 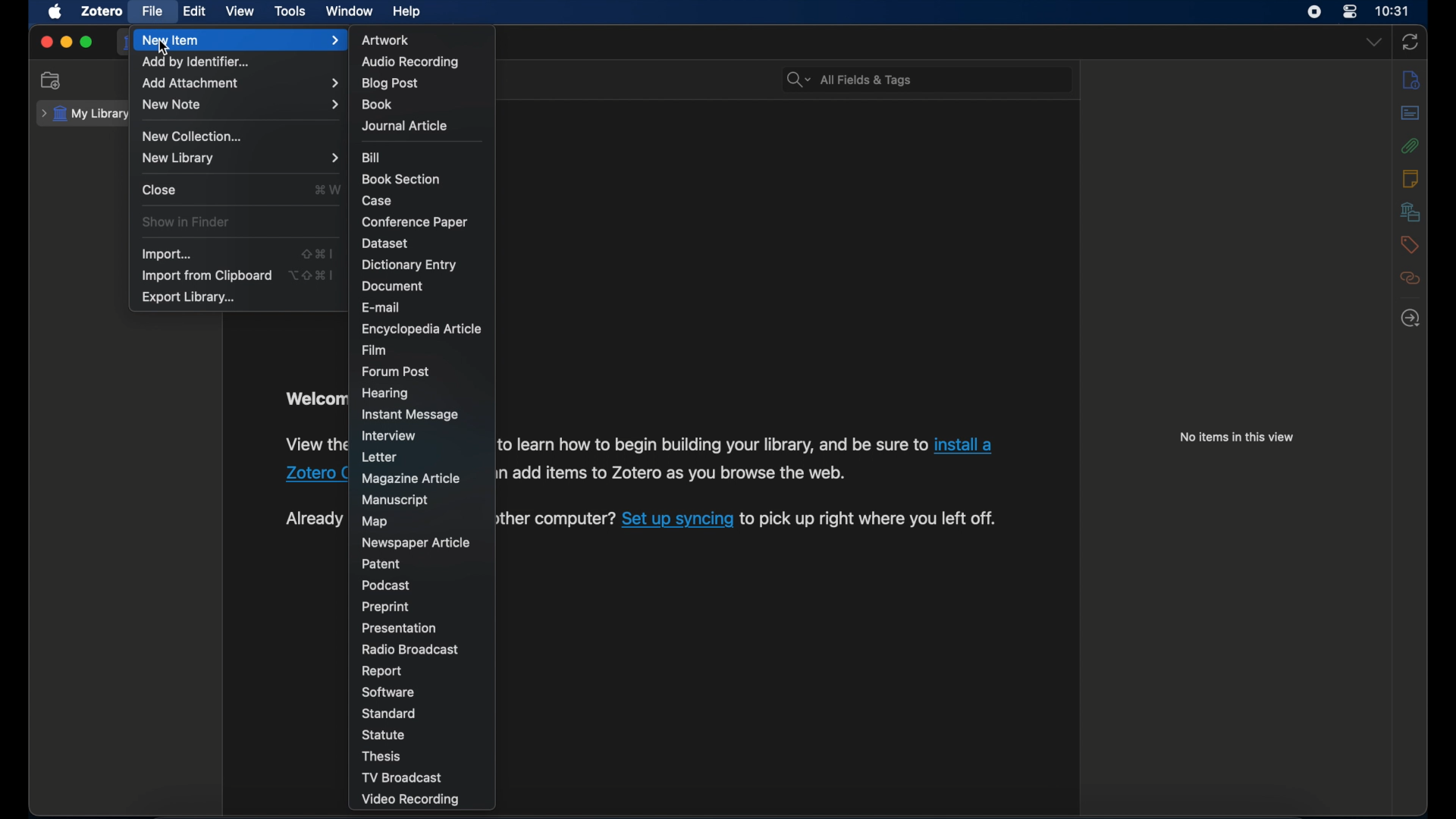 I want to click on obscure text, so click(x=314, y=443).